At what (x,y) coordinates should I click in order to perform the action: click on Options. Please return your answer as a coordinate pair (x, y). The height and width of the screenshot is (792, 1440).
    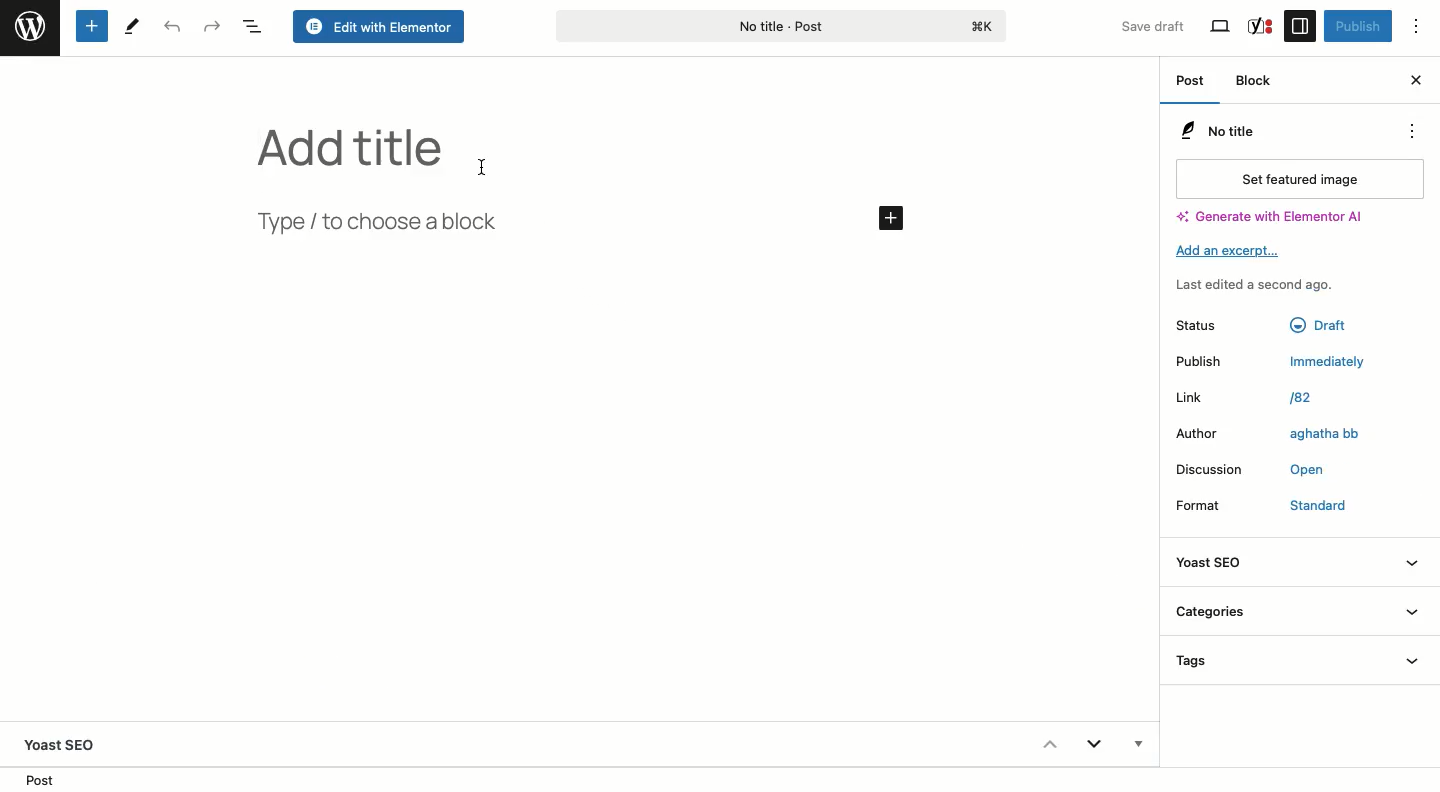
    Looking at the image, I should click on (1425, 27).